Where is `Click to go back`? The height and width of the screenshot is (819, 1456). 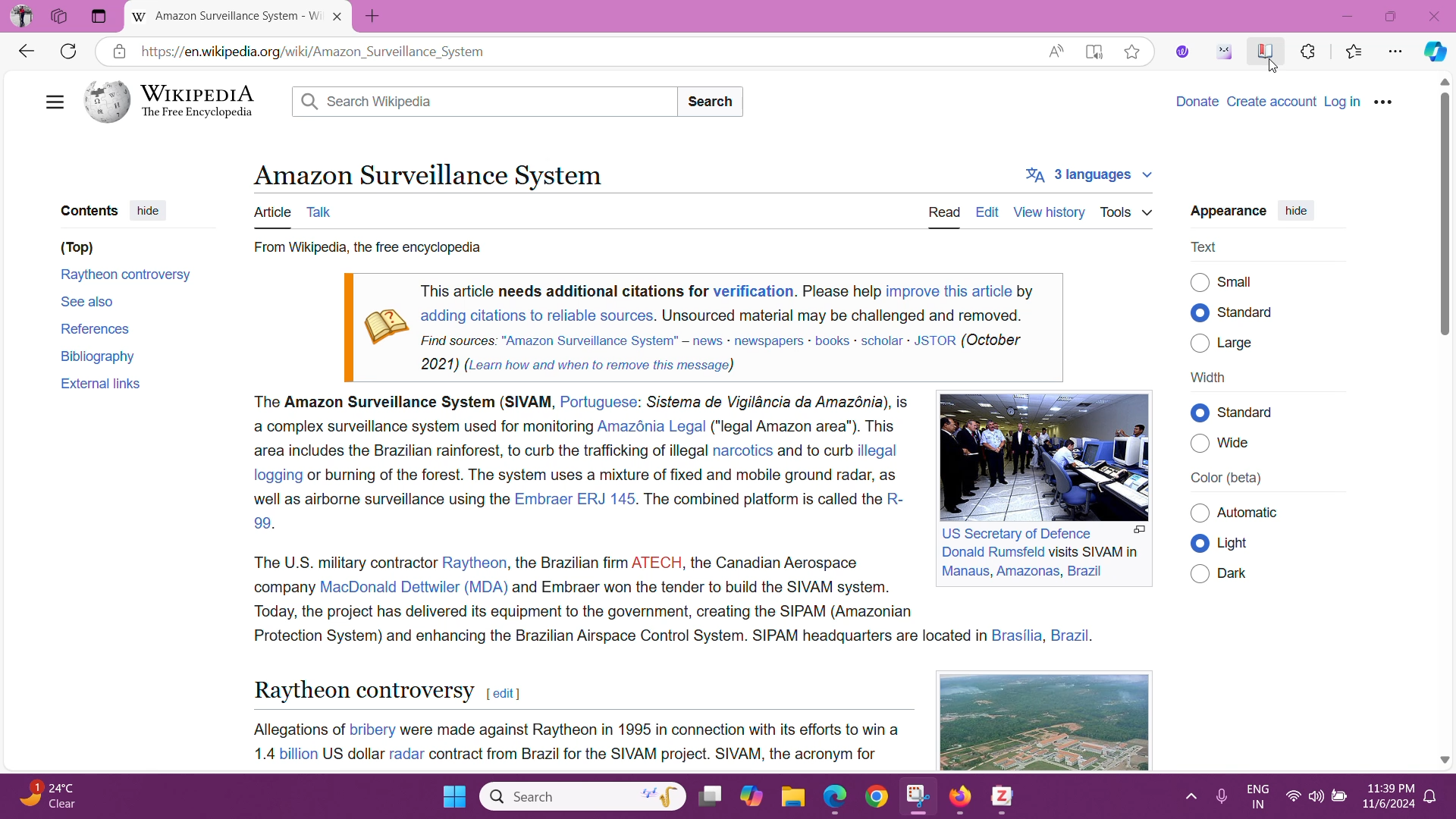 Click to go back is located at coordinates (25, 50).